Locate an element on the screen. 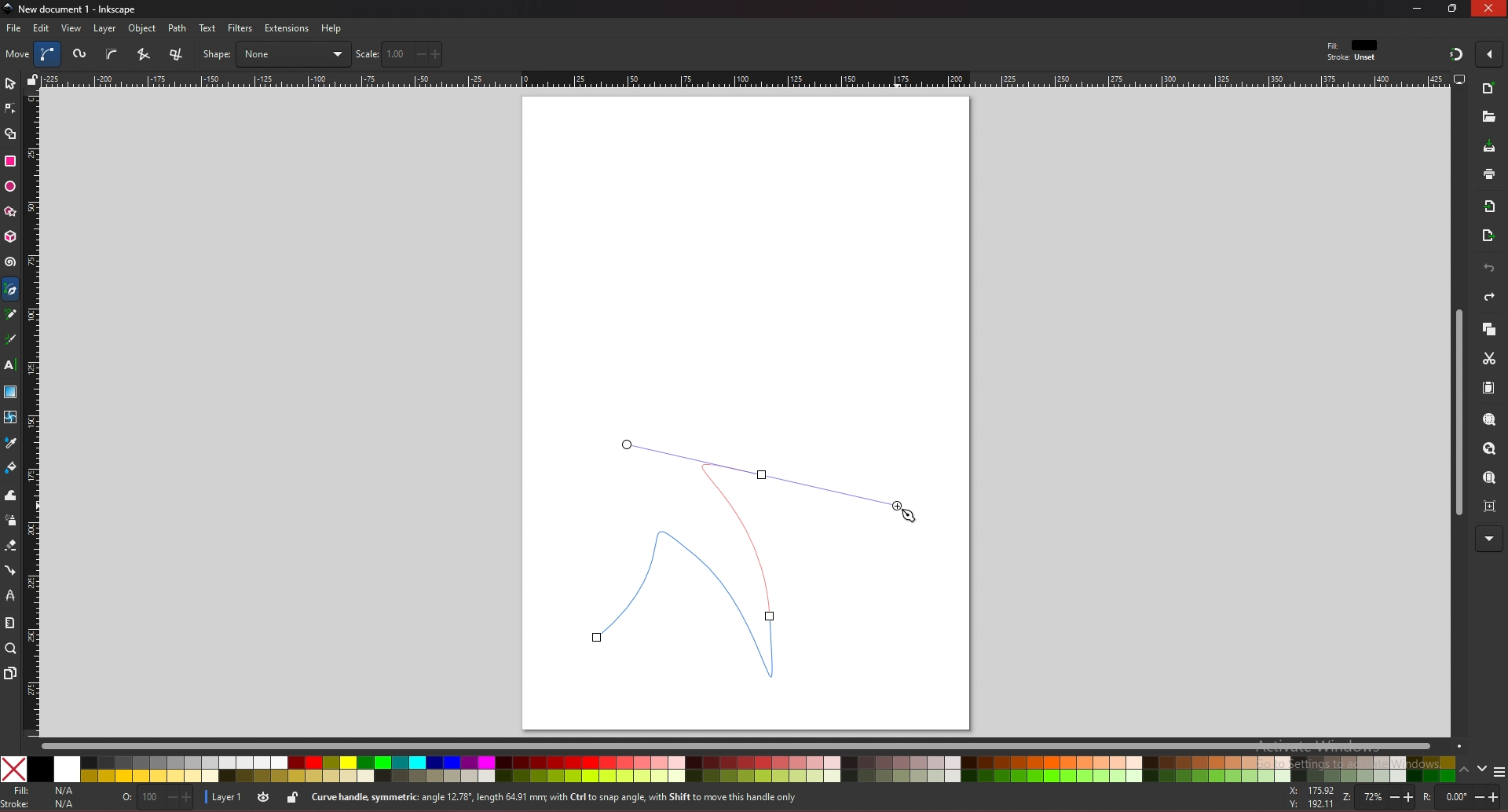 This screenshot has height=812, width=1508. file is located at coordinates (13, 28).